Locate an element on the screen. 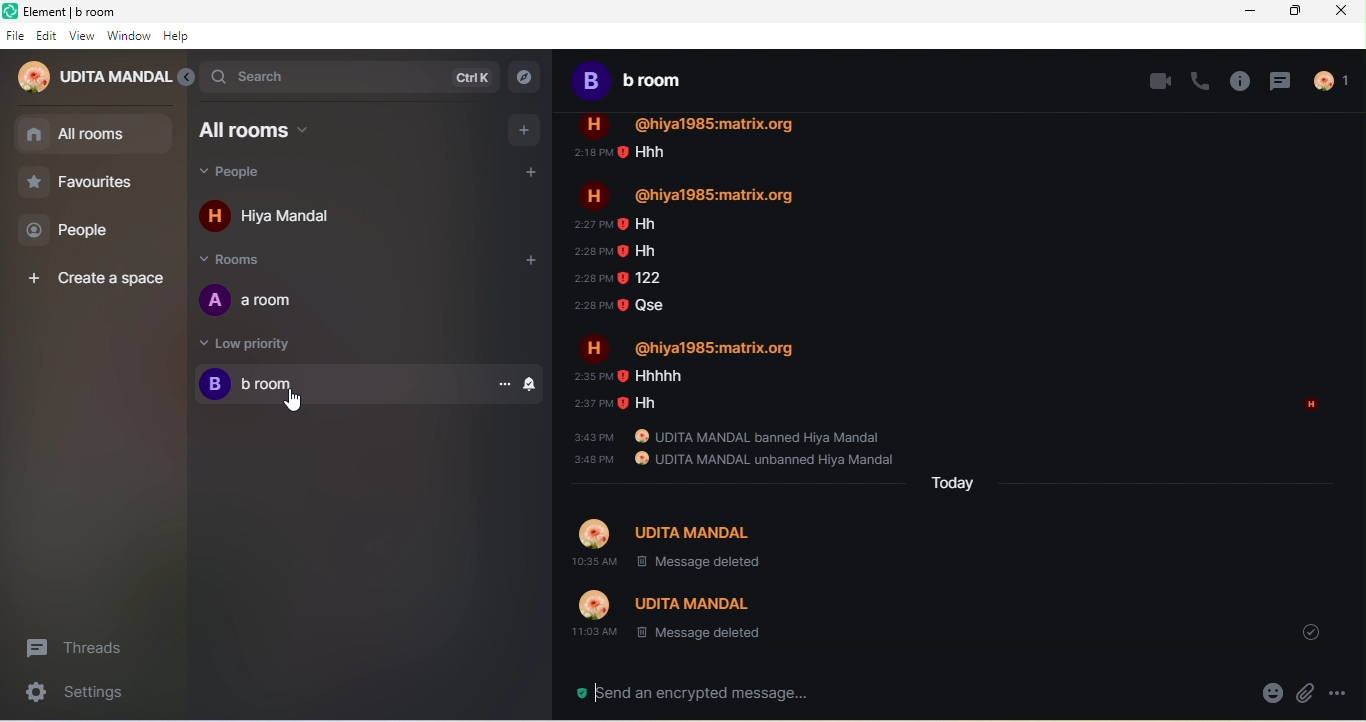 This screenshot has width=1366, height=722. add is located at coordinates (524, 129).